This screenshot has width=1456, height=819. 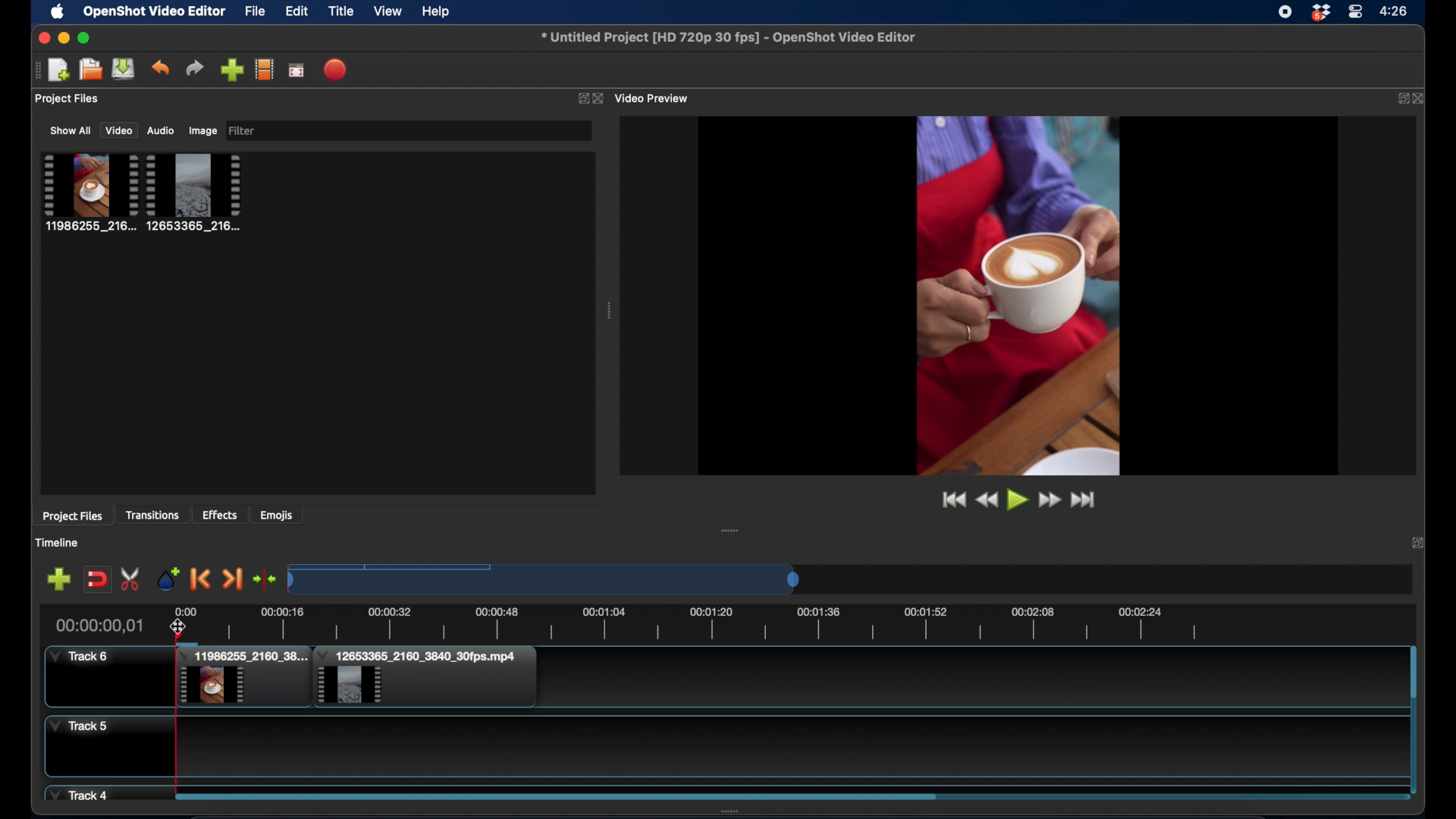 I want to click on file name, so click(x=730, y=38).